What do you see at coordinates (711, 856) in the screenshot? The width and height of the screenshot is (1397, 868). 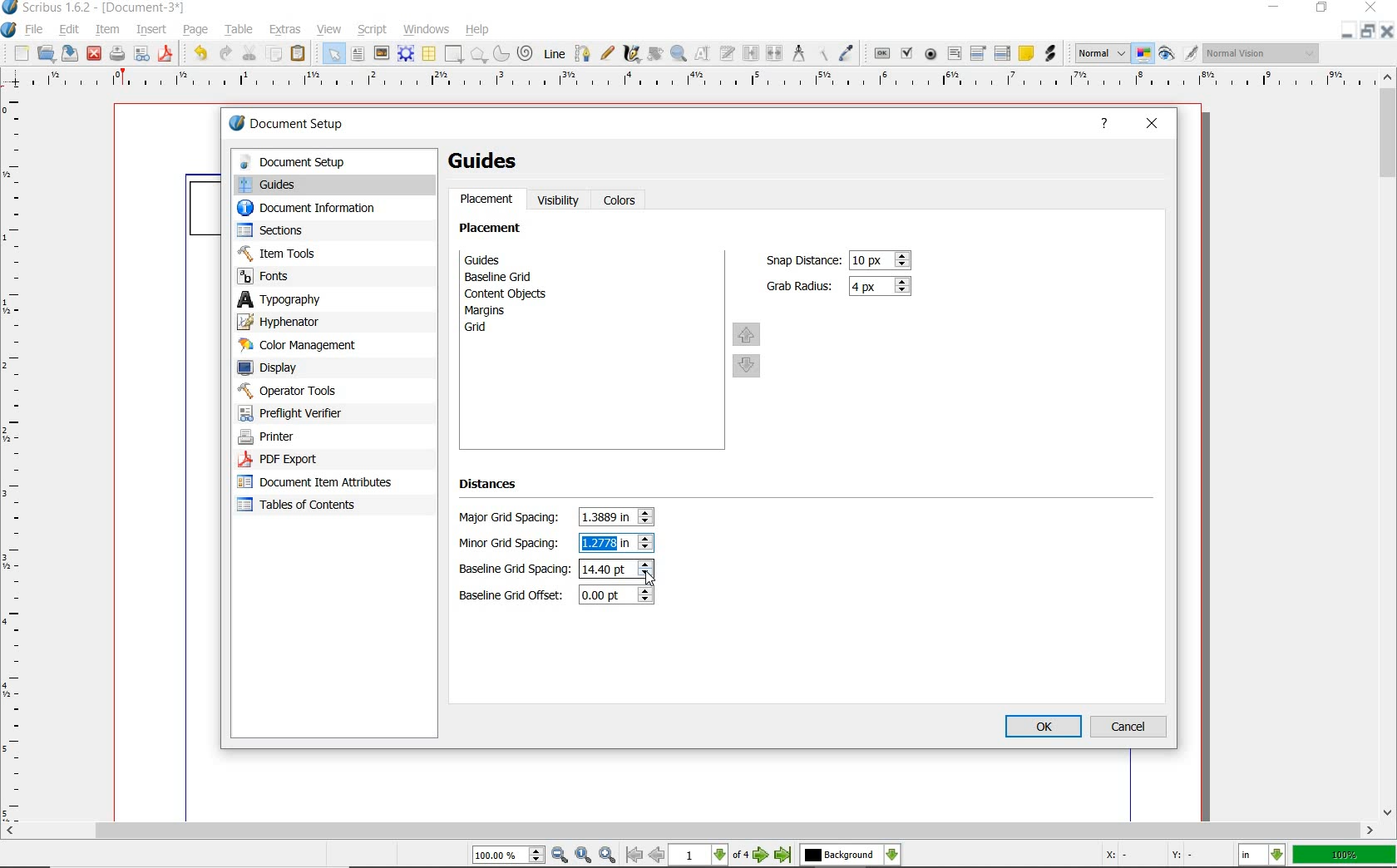 I see `select current page` at bounding box center [711, 856].